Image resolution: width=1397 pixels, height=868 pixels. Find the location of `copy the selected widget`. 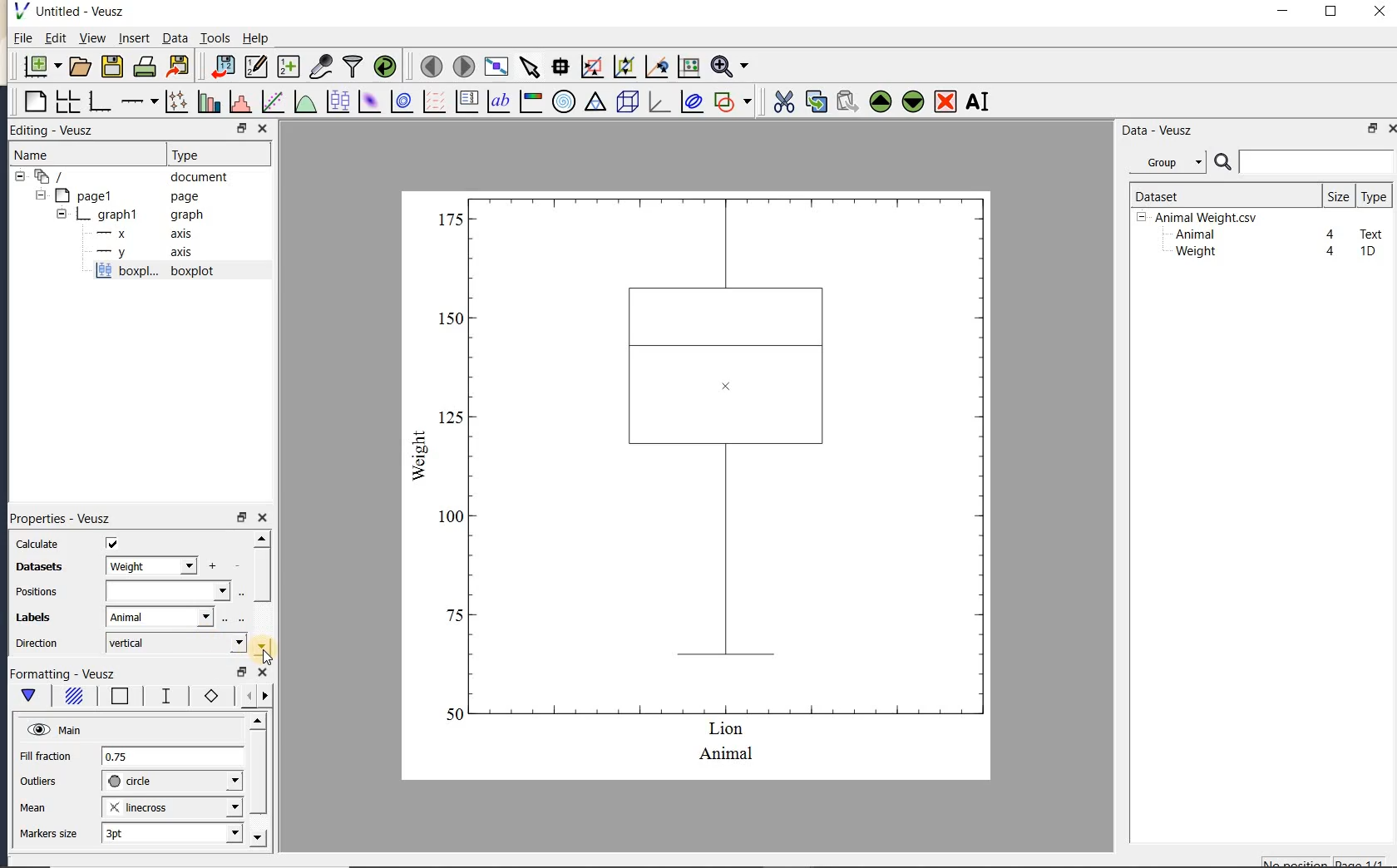

copy the selected widget is located at coordinates (814, 101).